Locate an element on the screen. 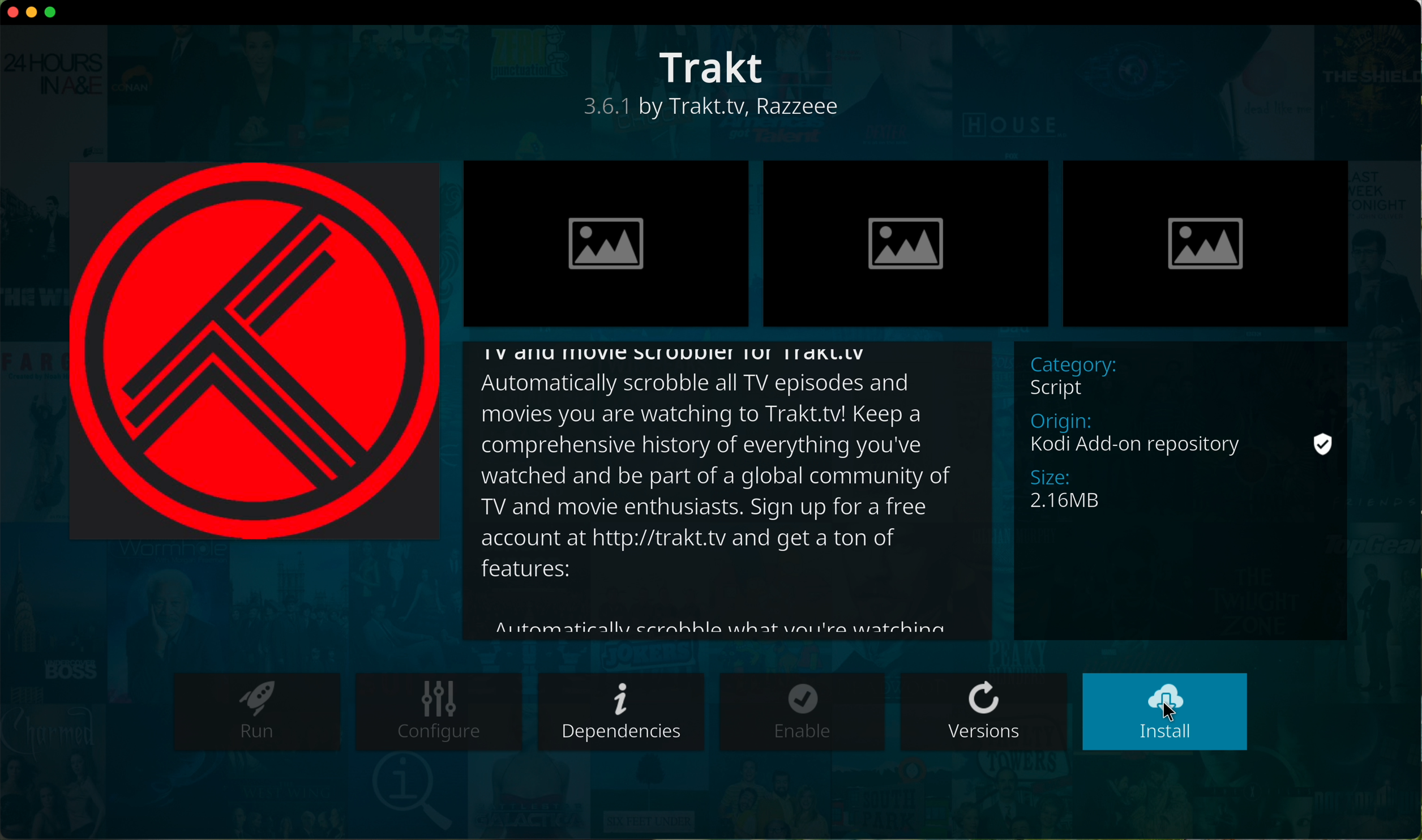 The image size is (1422, 840). click on install is located at coordinates (1166, 712).